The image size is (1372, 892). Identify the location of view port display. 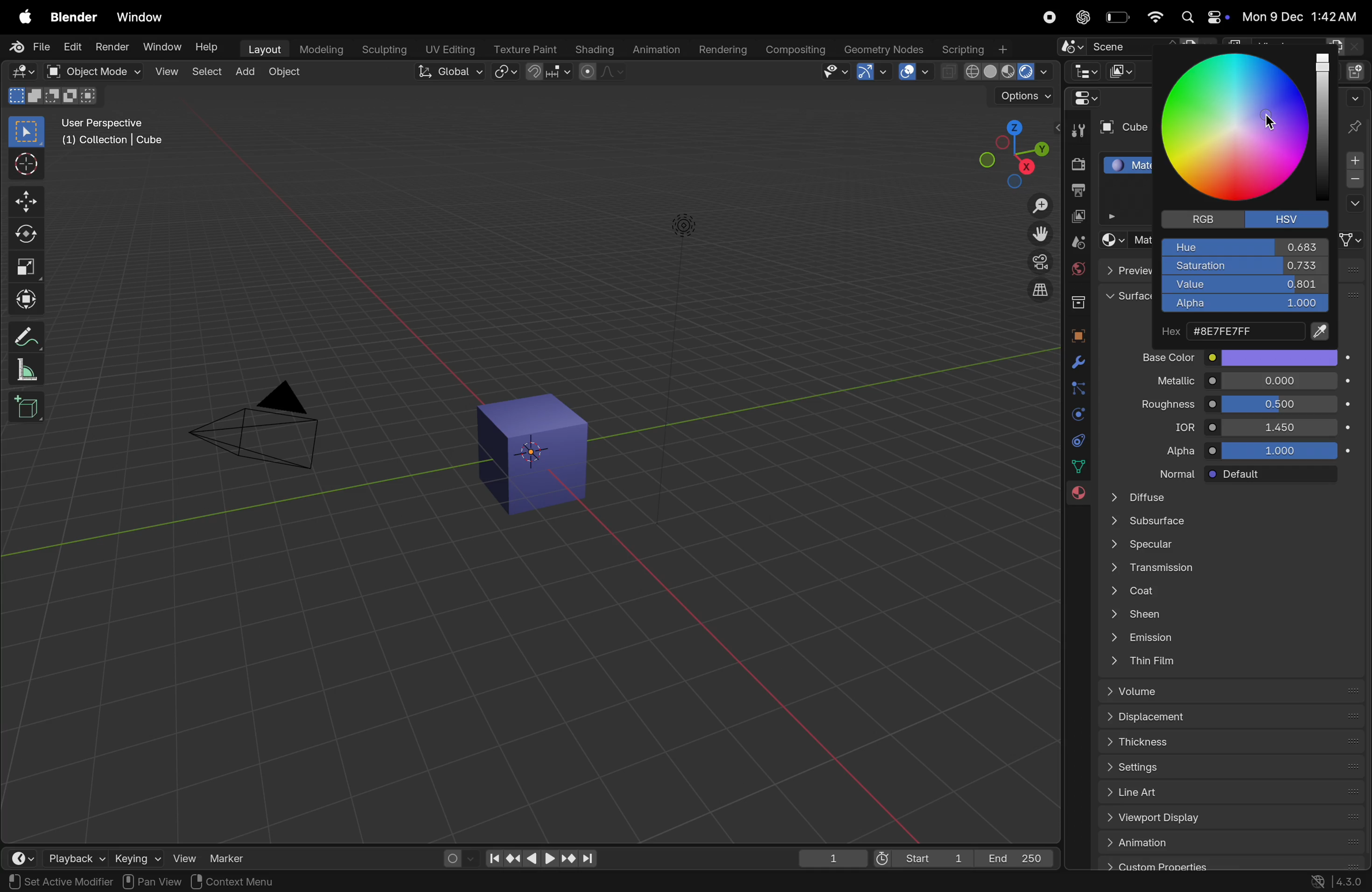
(1227, 819).